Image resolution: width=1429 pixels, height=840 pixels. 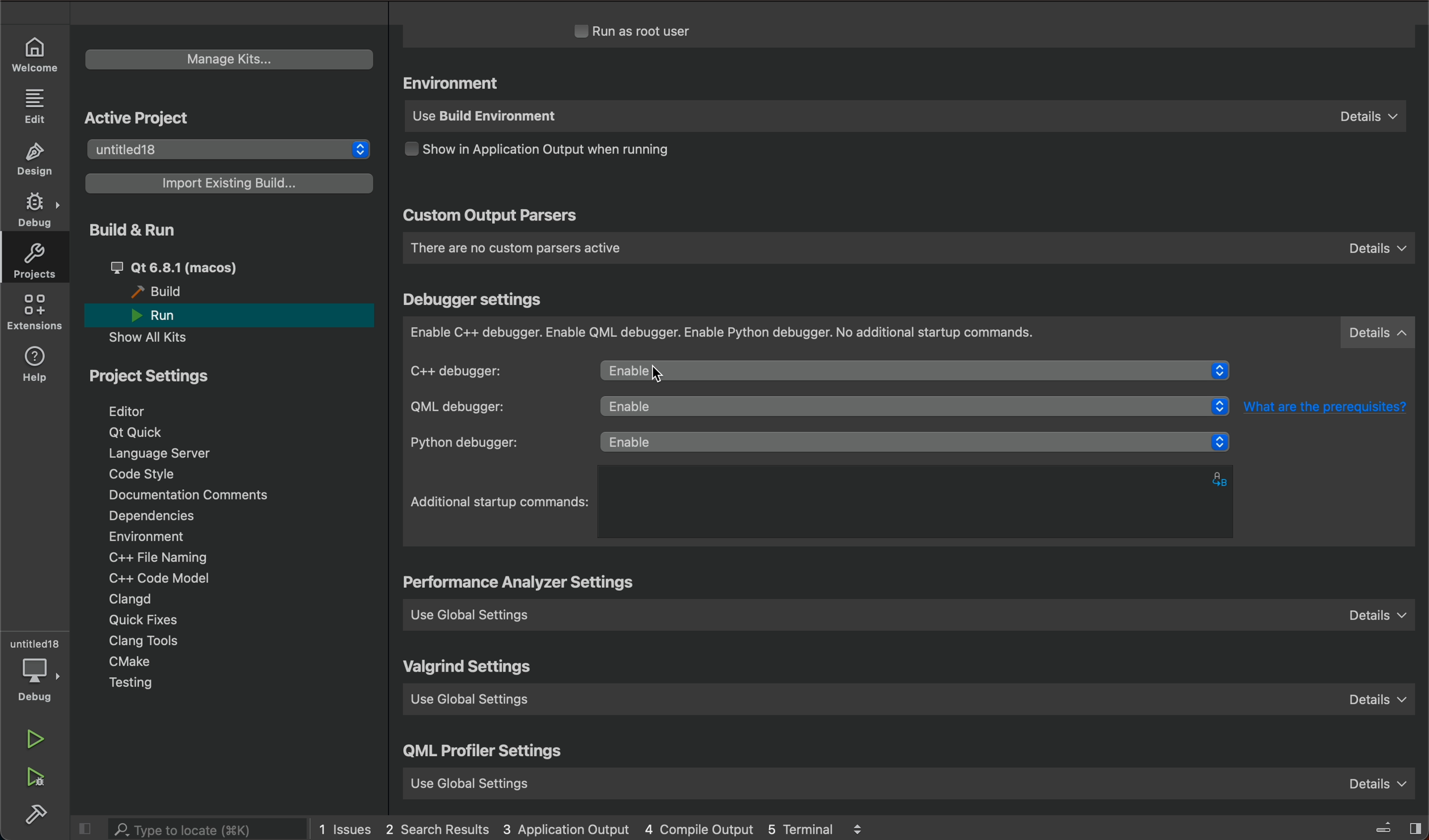 I want to click on qml debugger, so click(x=823, y=407).